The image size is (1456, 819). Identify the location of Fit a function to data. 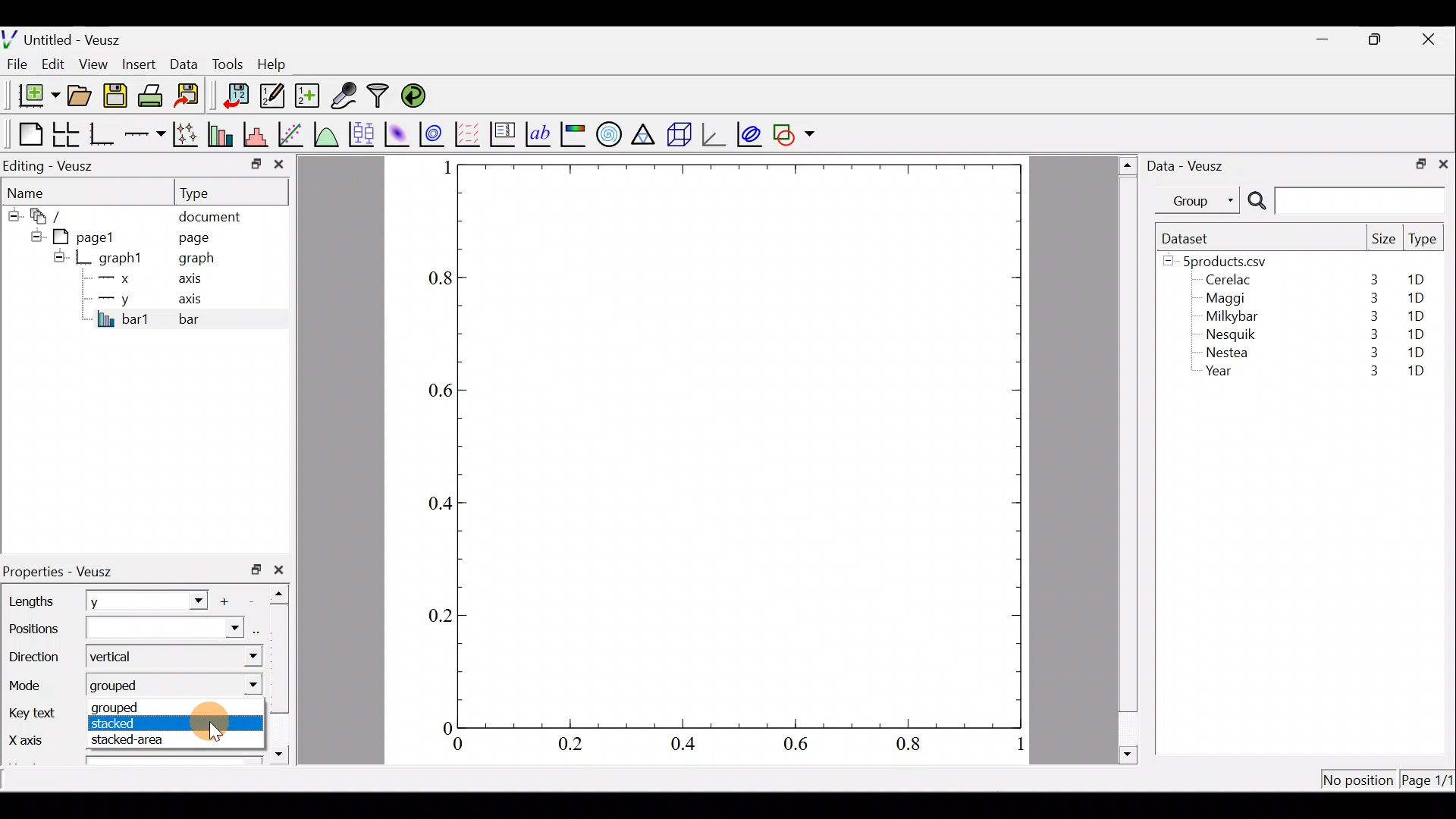
(292, 133).